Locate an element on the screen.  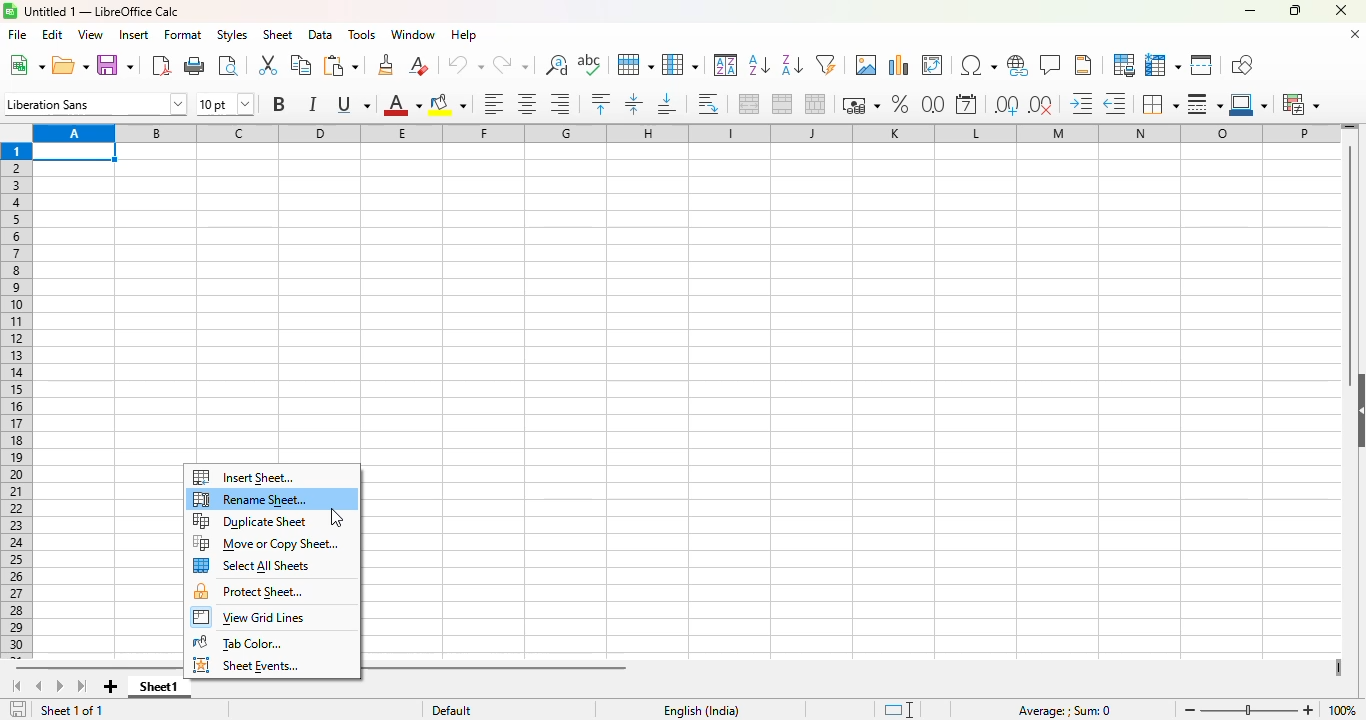
Average: ; Sum: 0 is located at coordinates (1064, 711).